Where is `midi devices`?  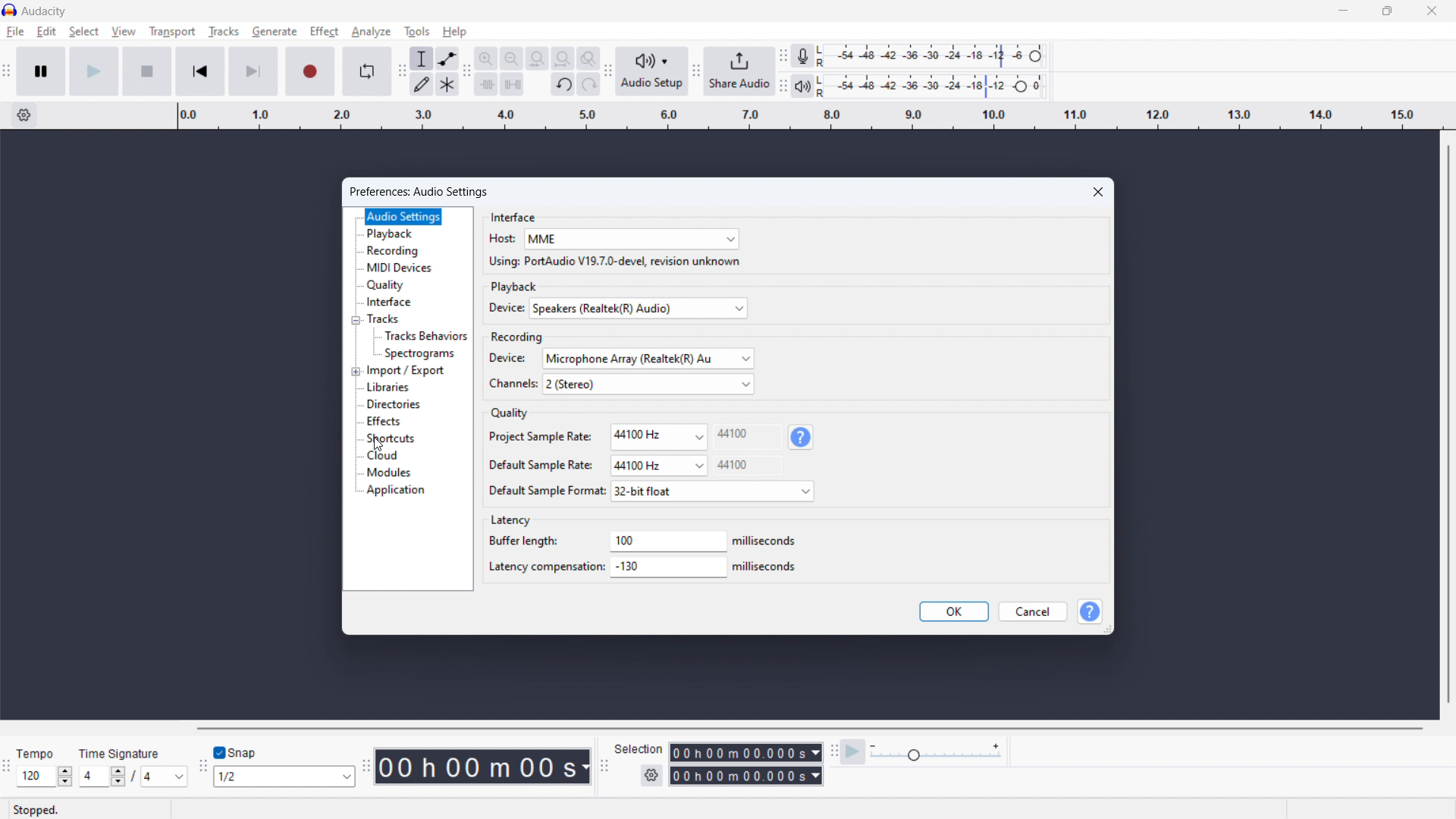
midi devices is located at coordinates (400, 267).